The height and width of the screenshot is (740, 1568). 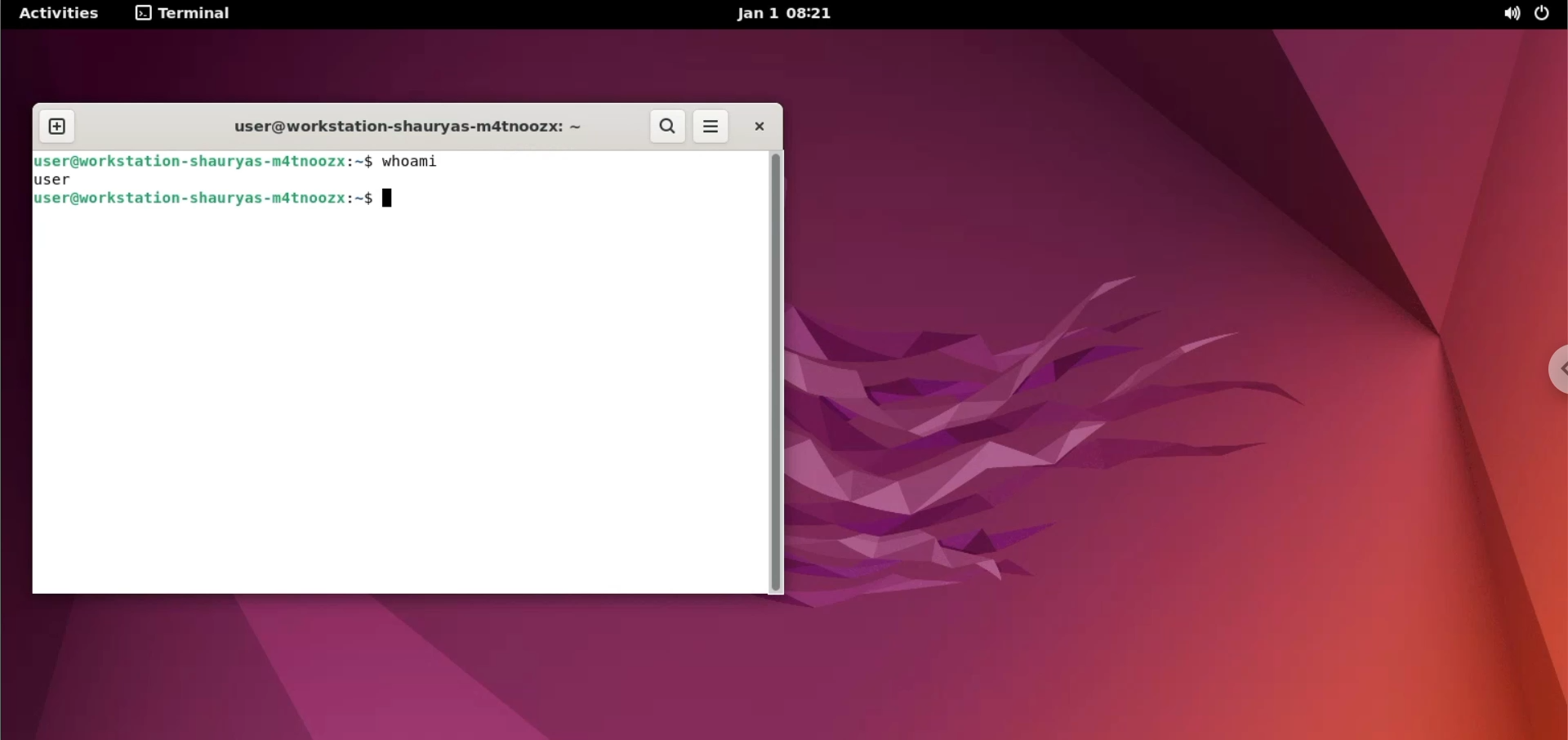 I want to click on user, so click(x=71, y=178).